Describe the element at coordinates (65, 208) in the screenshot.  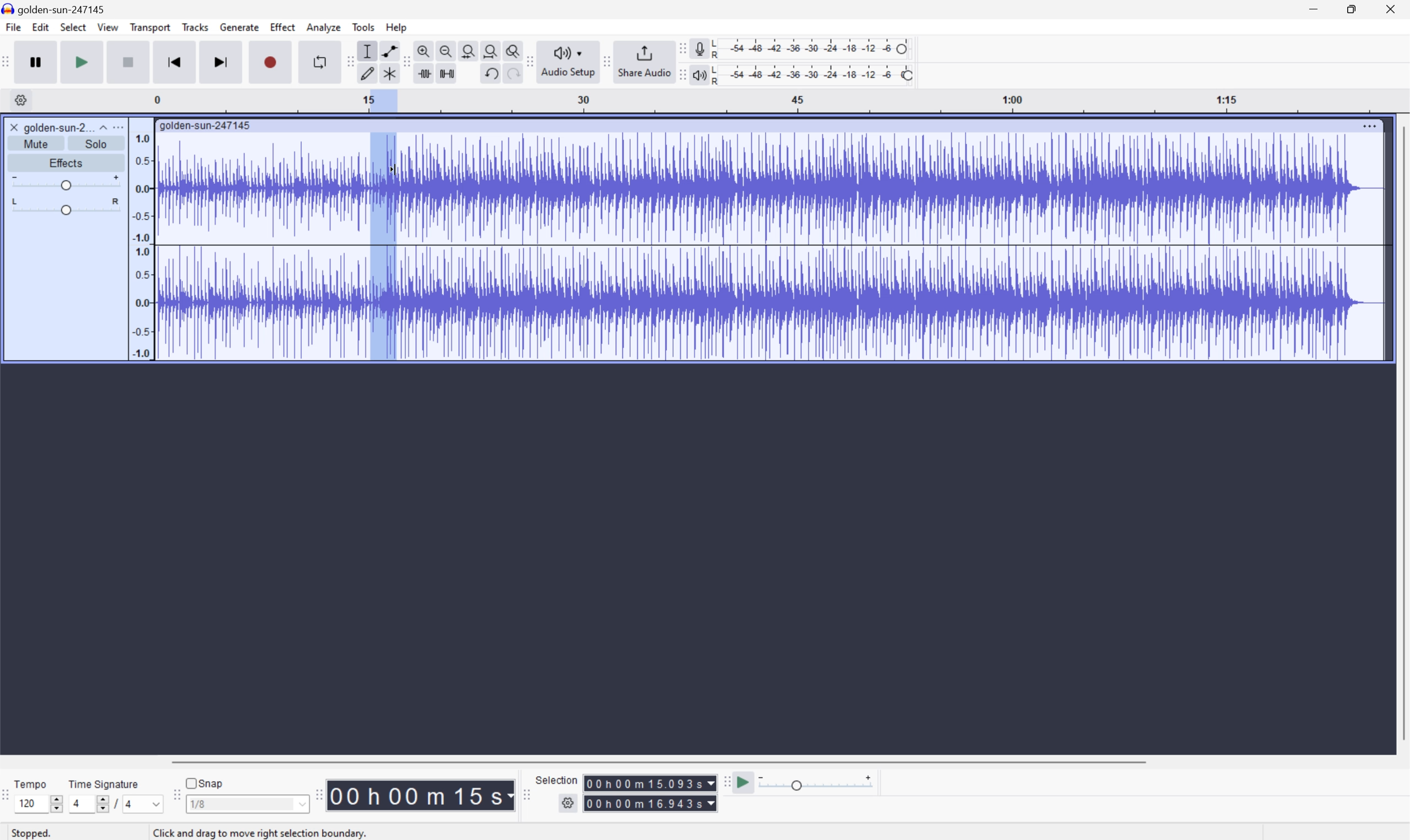
I see `Slider` at that location.